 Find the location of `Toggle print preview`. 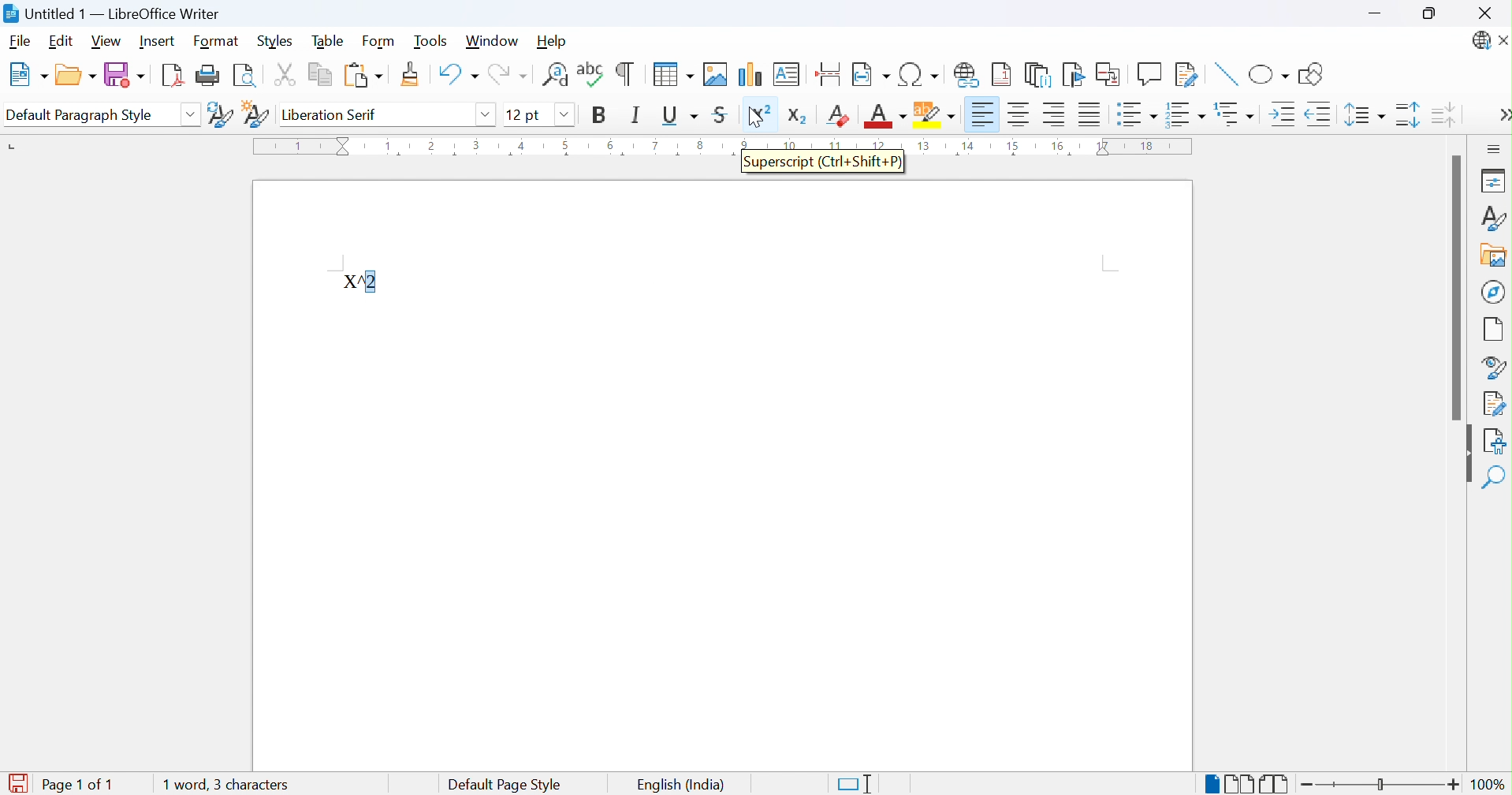

Toggle print preview is located at coordinates (244, 77).